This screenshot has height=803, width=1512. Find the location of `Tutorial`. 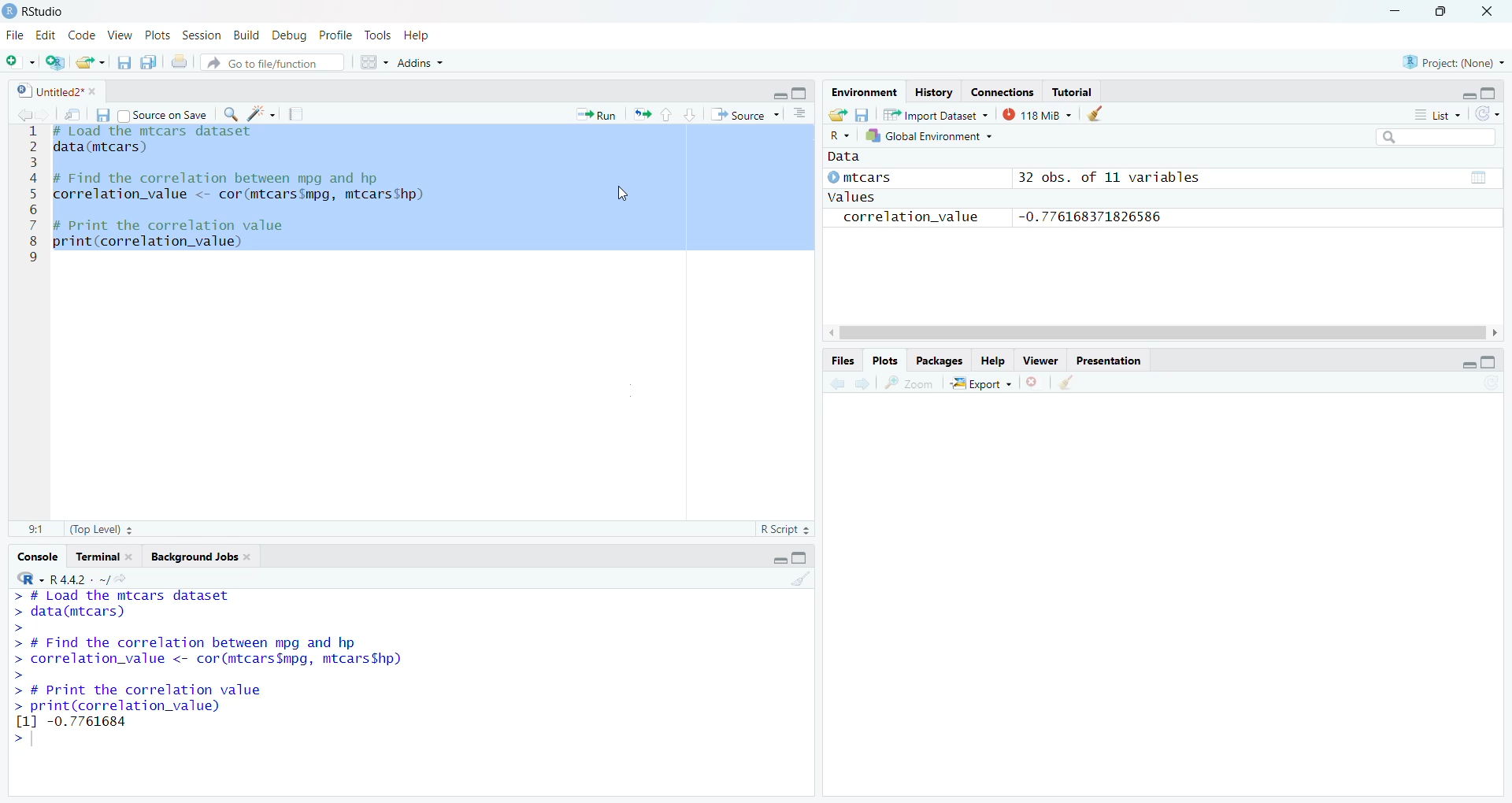

Tutorial is located at coordinates (102, 557).